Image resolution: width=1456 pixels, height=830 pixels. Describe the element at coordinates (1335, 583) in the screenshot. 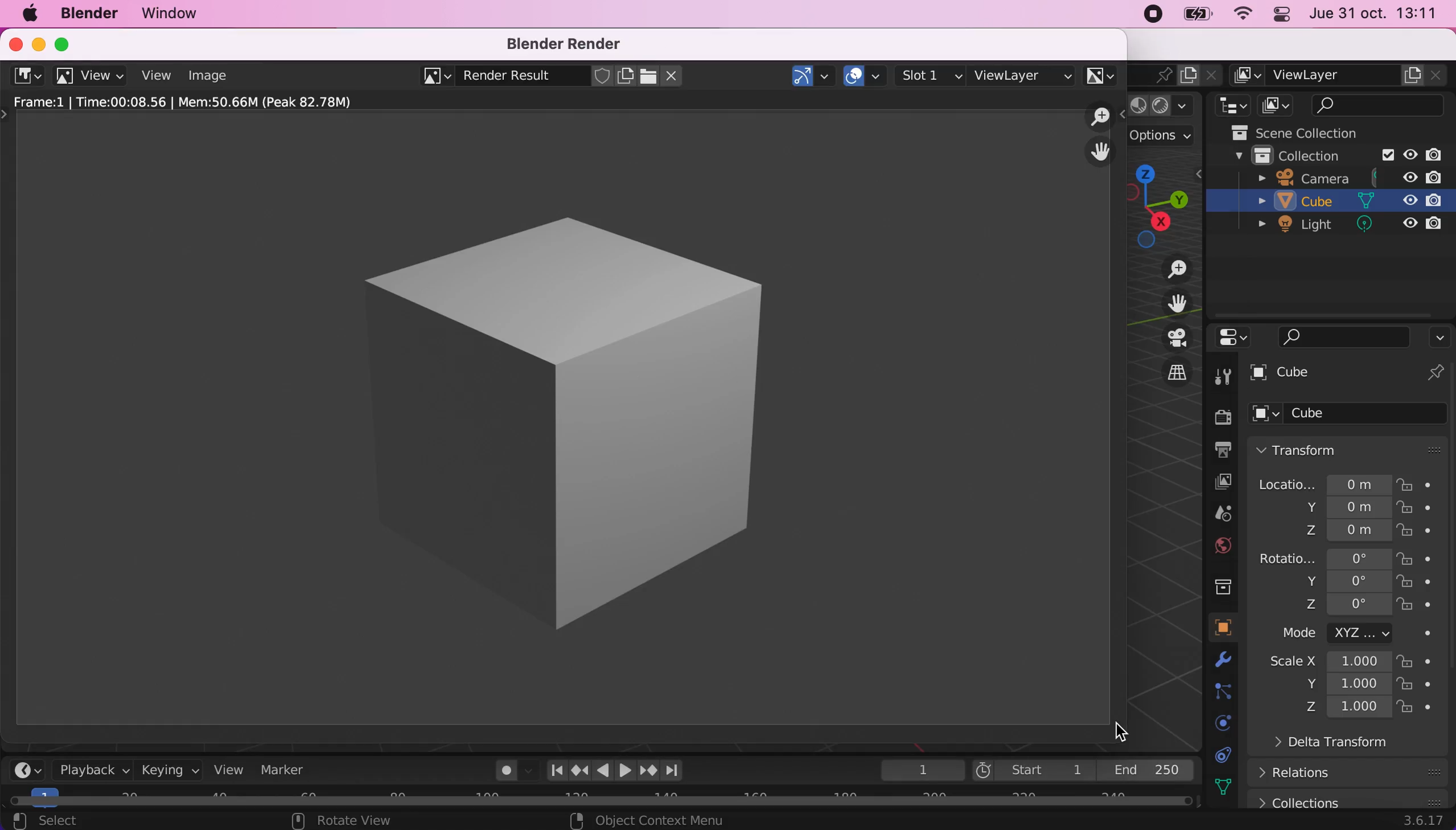

I see `rotation y` at that location.